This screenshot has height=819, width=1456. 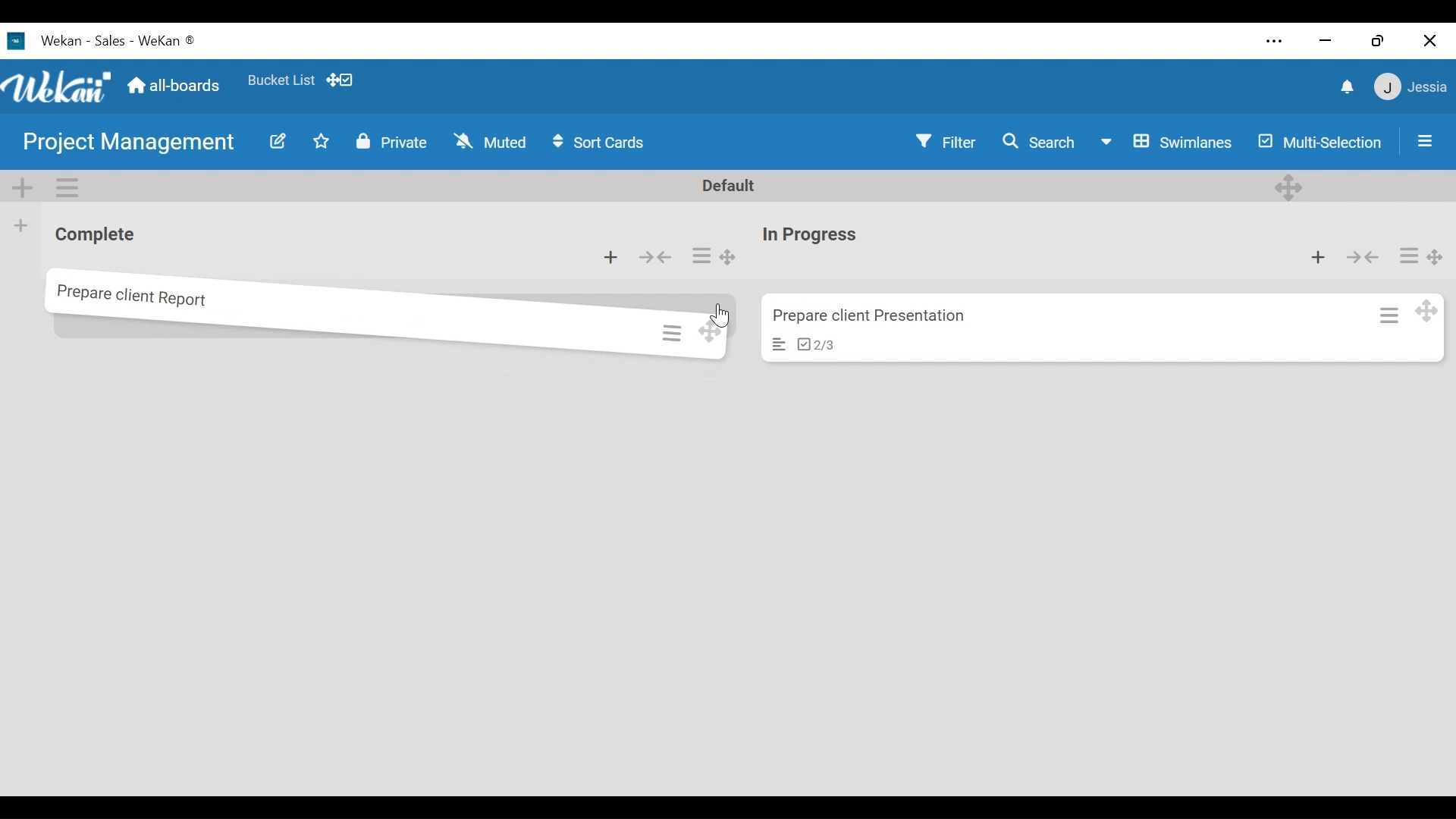 I want to click on Board View, so click(x=1167, y=143).